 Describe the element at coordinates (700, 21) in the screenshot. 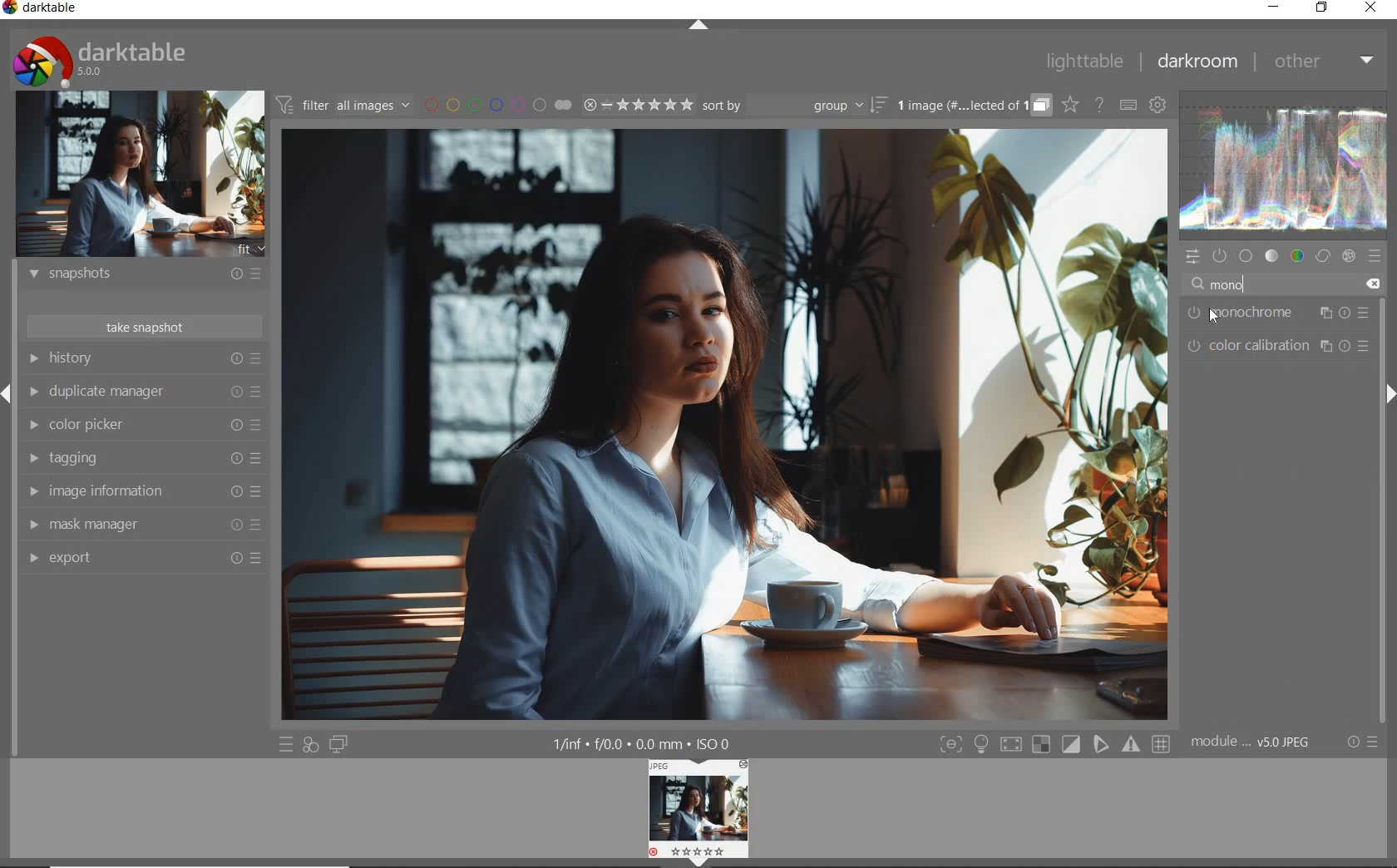

I see `expand/collapse` at that location.